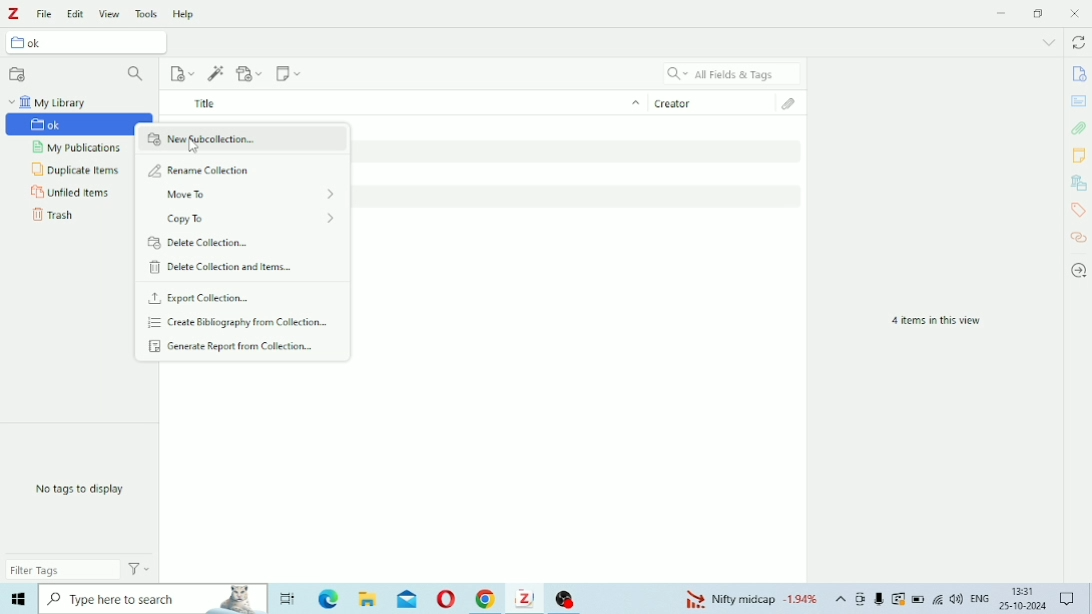 The width and height of the screenshot is (1092, 614). I want to click on Close, so click(1074, 13).